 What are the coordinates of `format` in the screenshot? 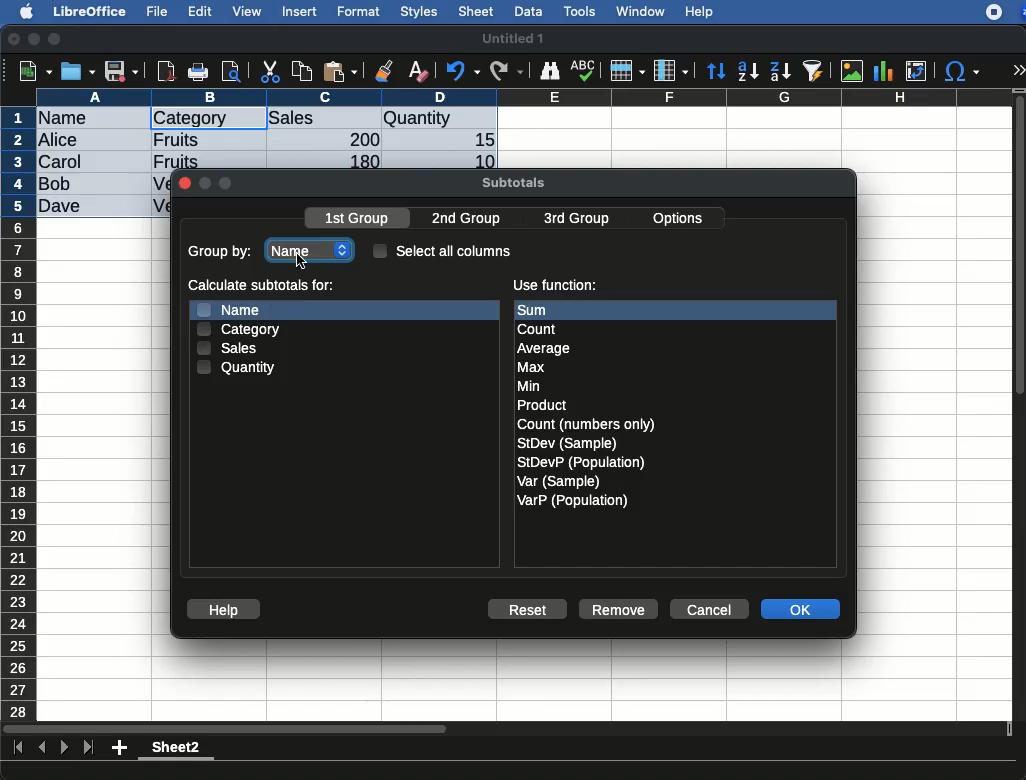 It's located at (359, 12).